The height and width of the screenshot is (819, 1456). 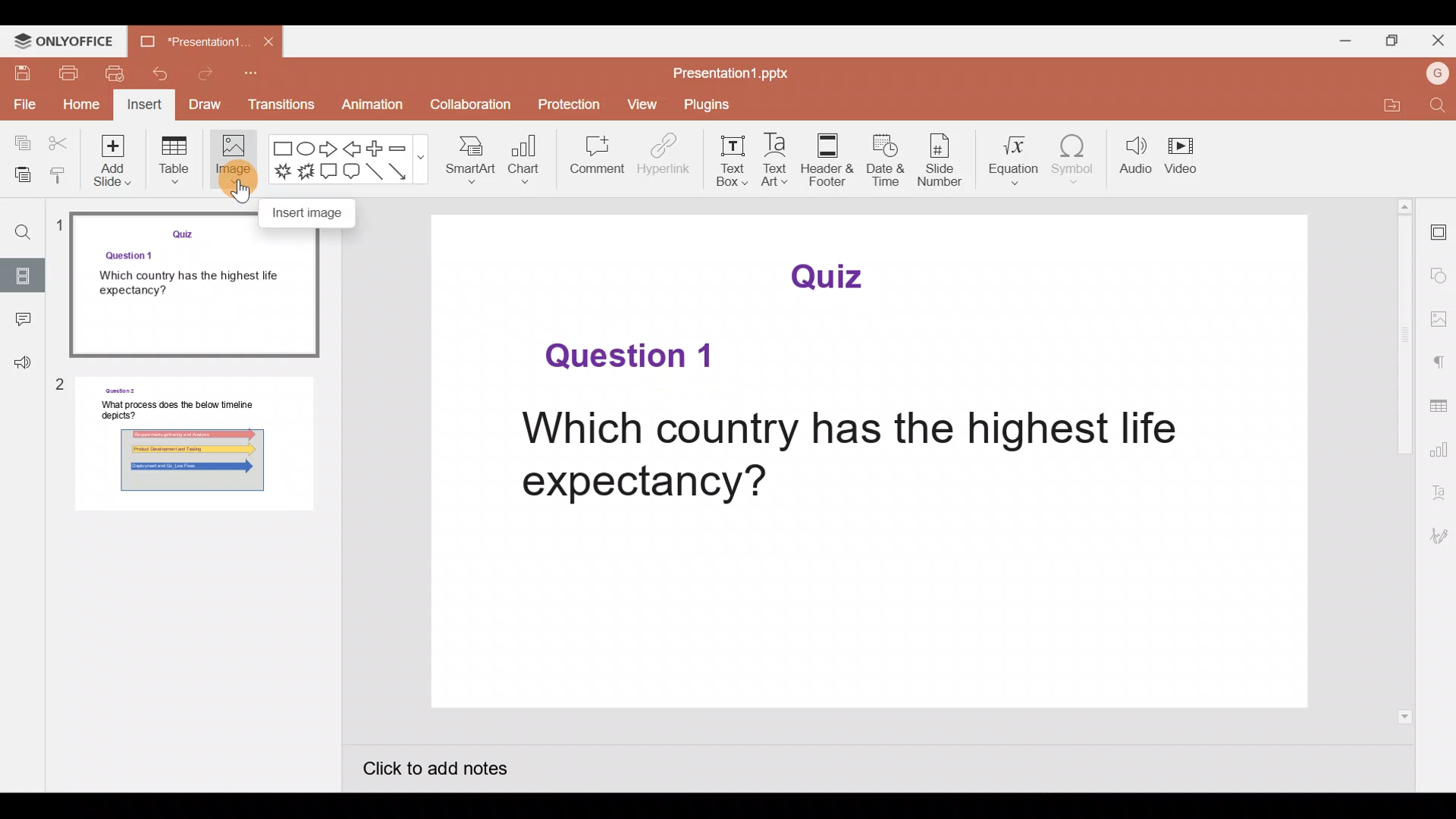 I want to click on Date & time, so click(x=887, y=163).